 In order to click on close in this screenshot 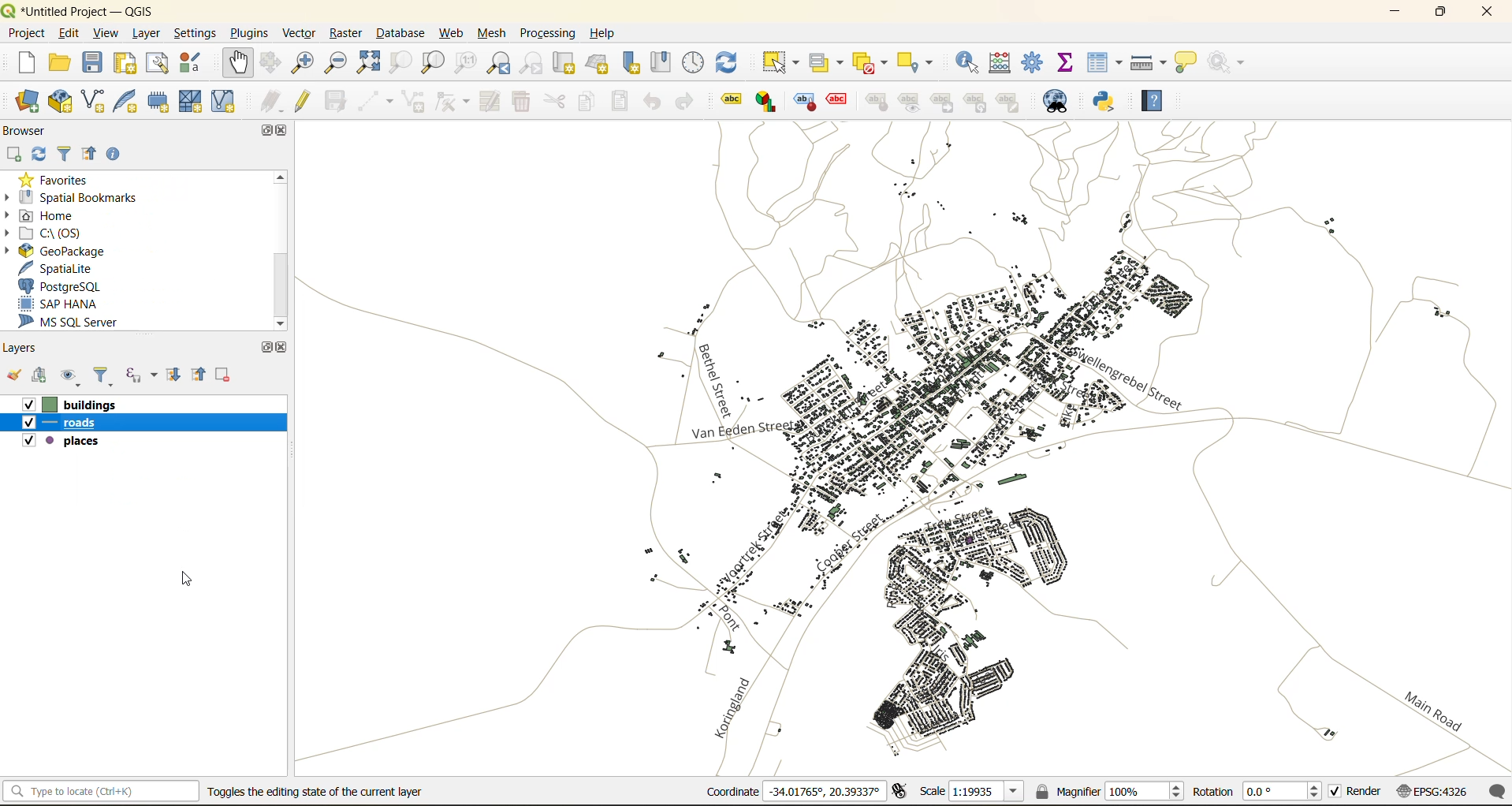, I will do `click(284, 348)`.